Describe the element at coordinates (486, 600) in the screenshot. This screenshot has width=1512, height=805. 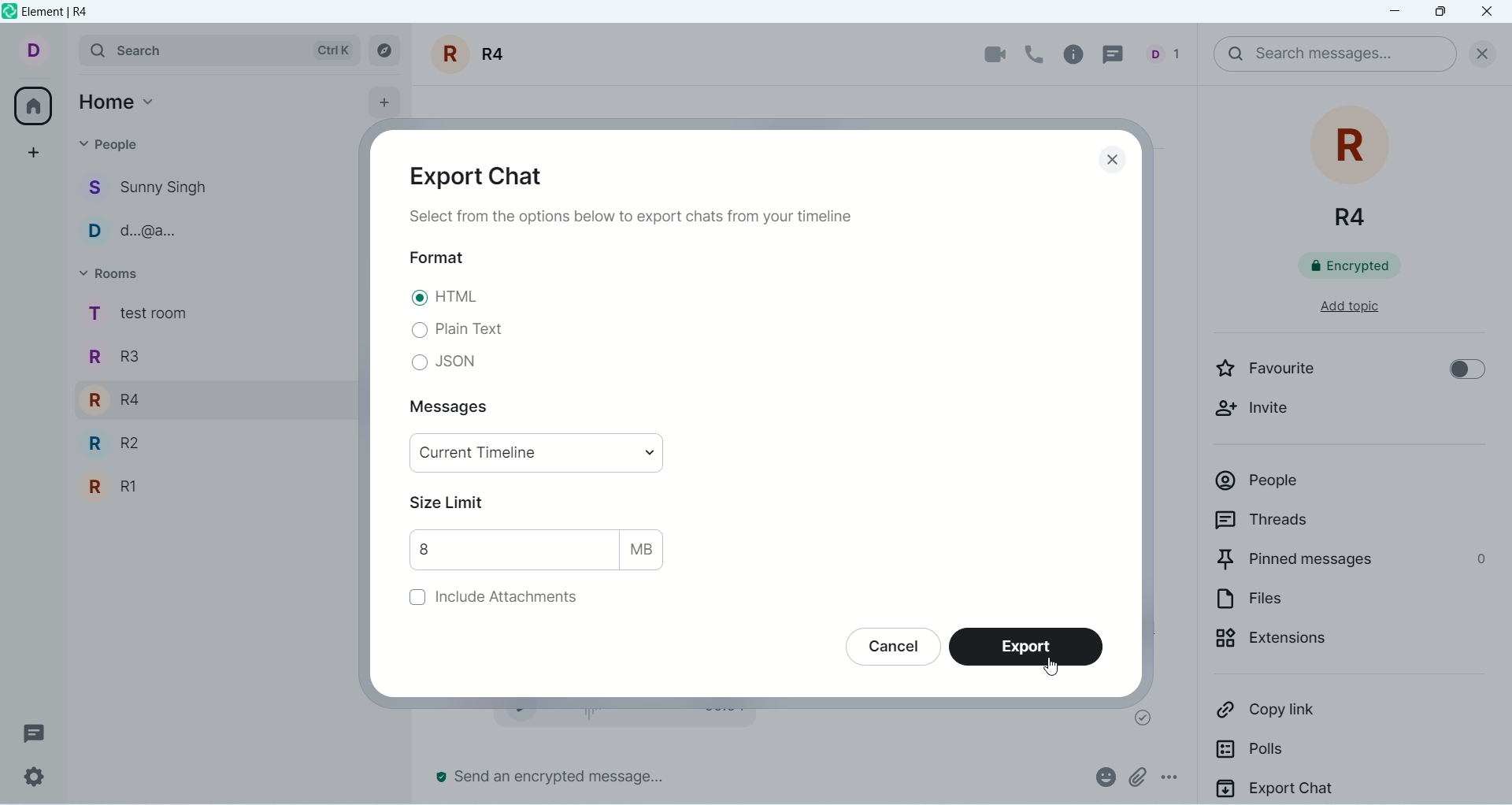
I see `include attchments` at that location.